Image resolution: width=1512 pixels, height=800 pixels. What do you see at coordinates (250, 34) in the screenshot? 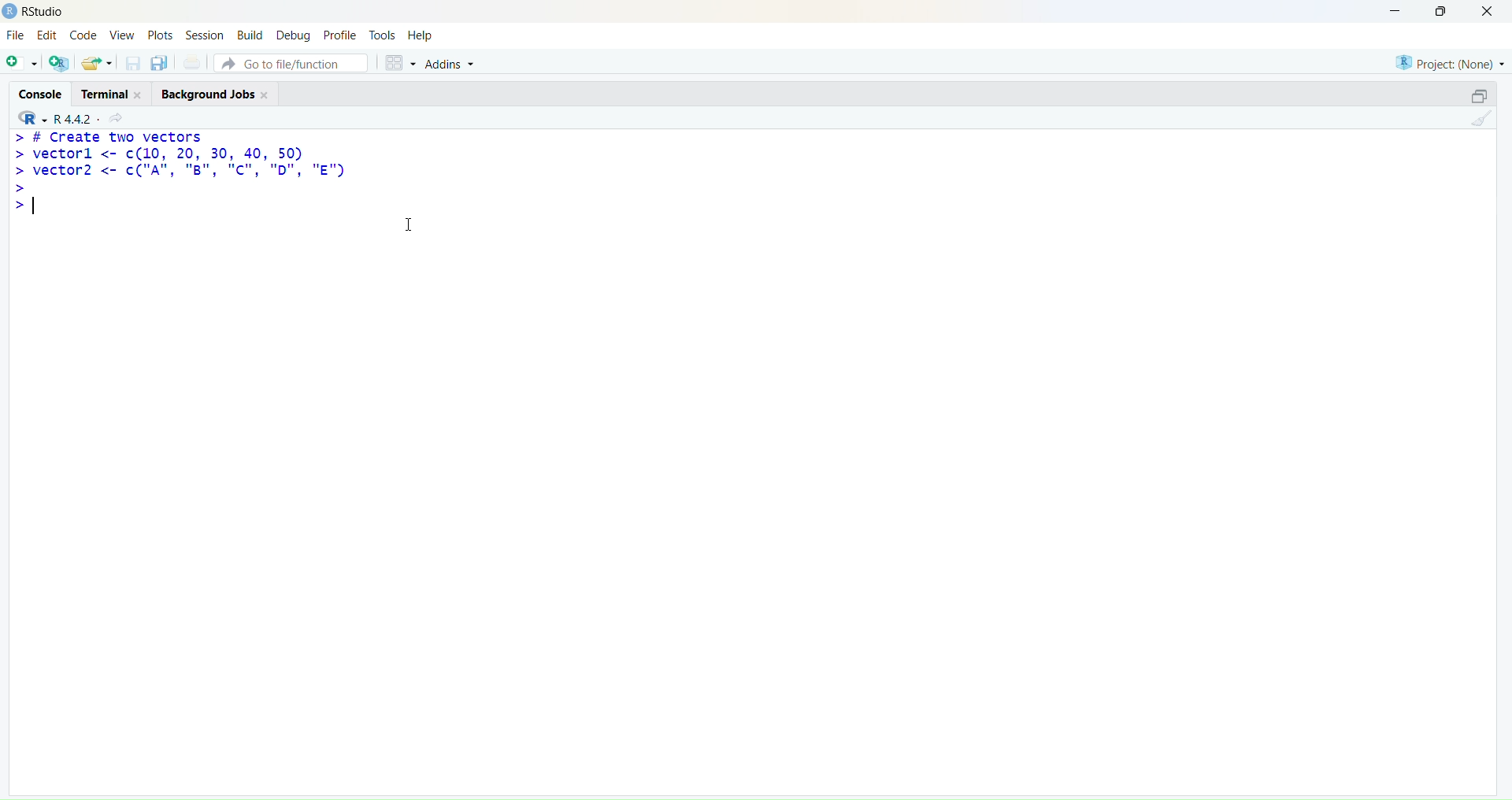
I see `Build` at bounding box center [250, 34].